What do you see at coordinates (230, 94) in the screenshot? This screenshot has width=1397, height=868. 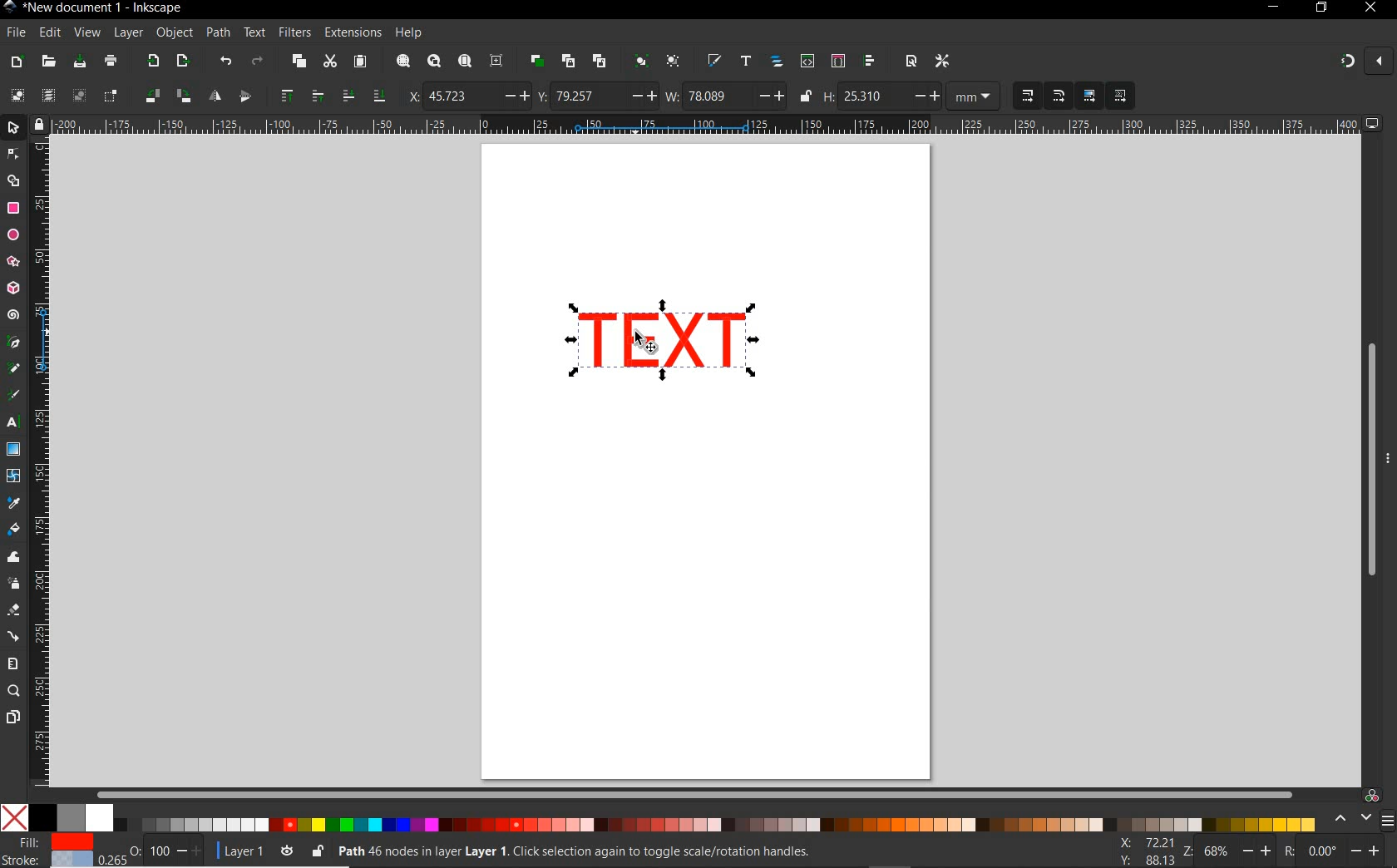 I see `OBJECT FLIP` at bounding box center [230, 94].